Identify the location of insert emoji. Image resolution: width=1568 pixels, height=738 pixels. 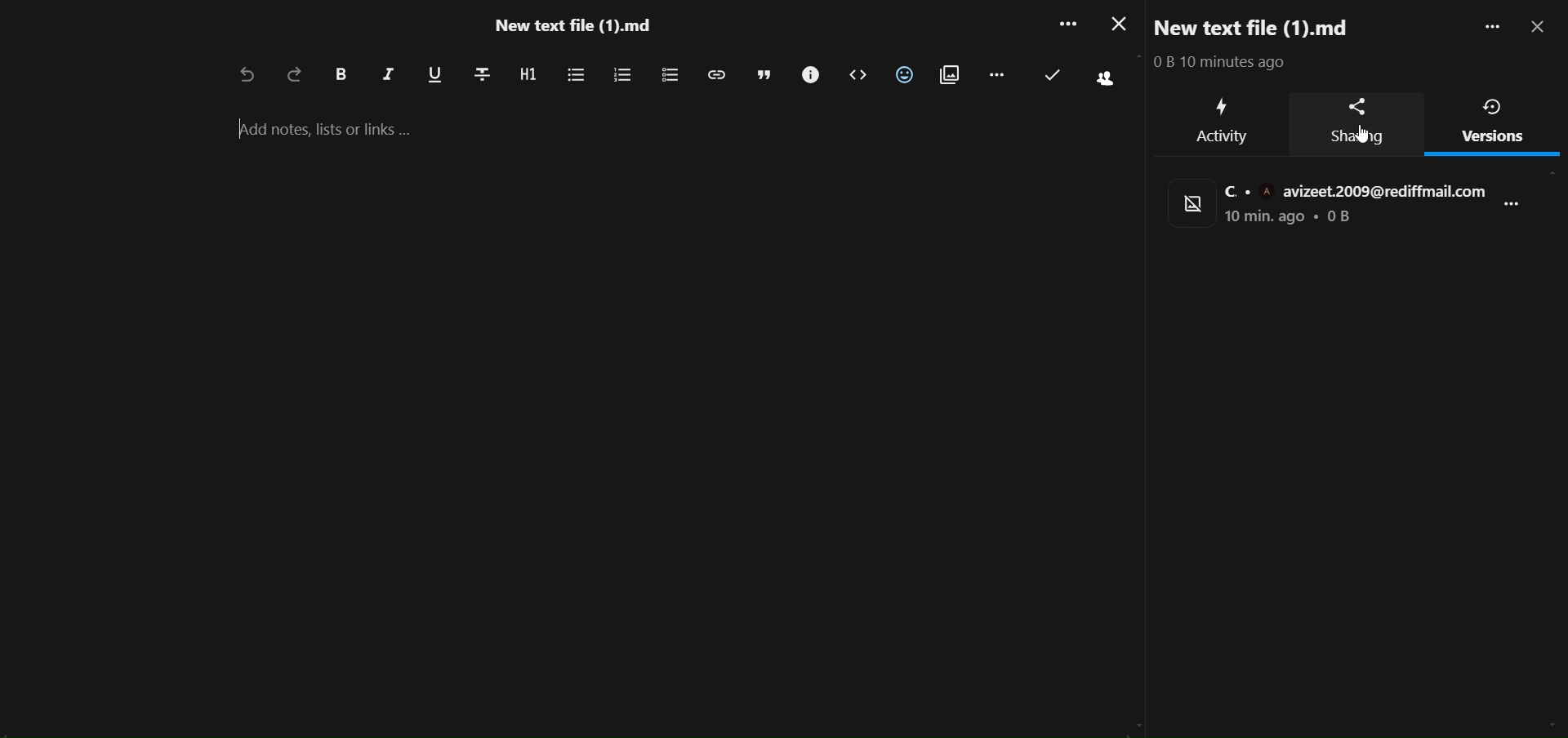
(904, 74).